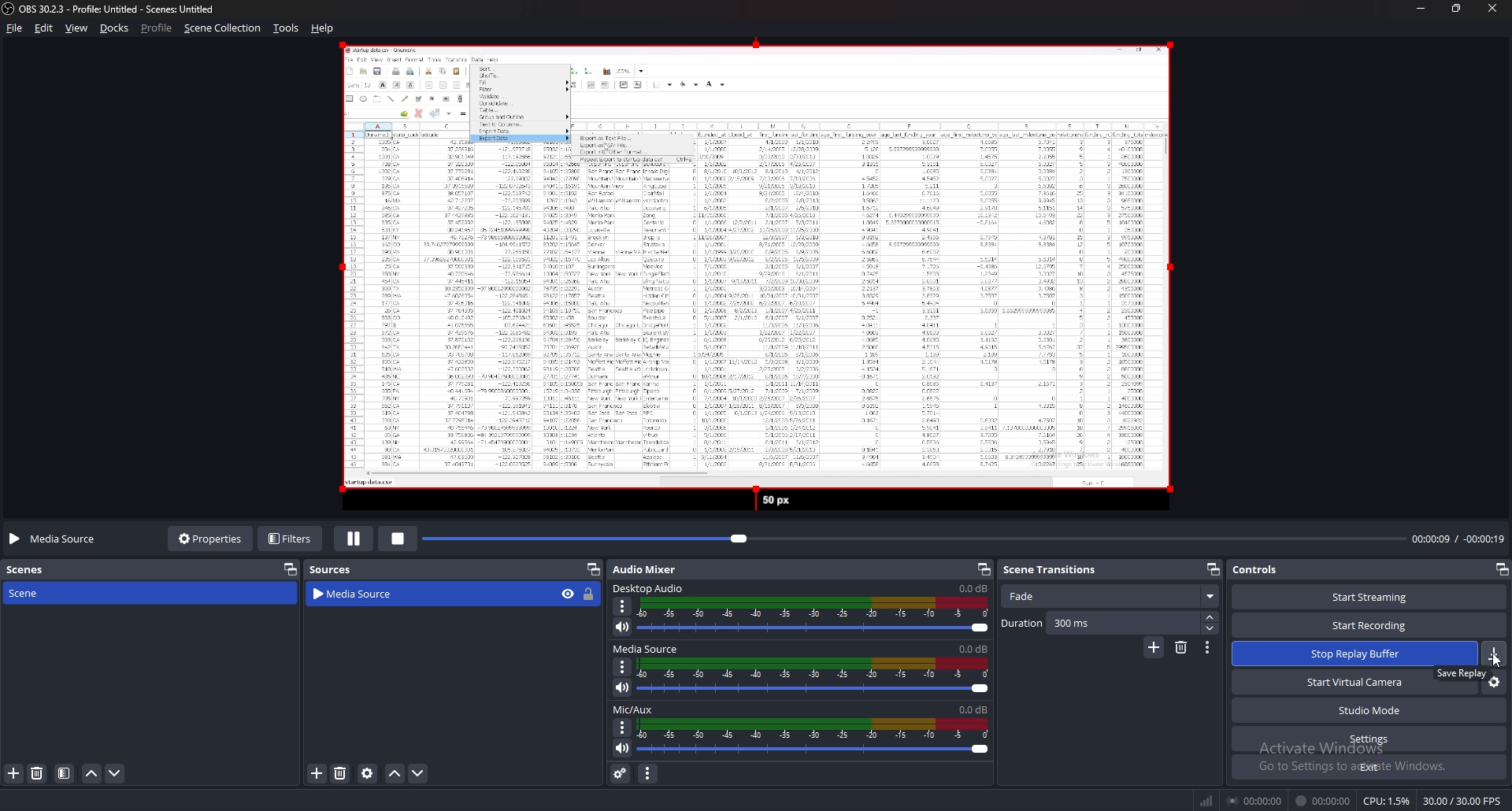  I want to click on decrease duration, so click(1212, 629).